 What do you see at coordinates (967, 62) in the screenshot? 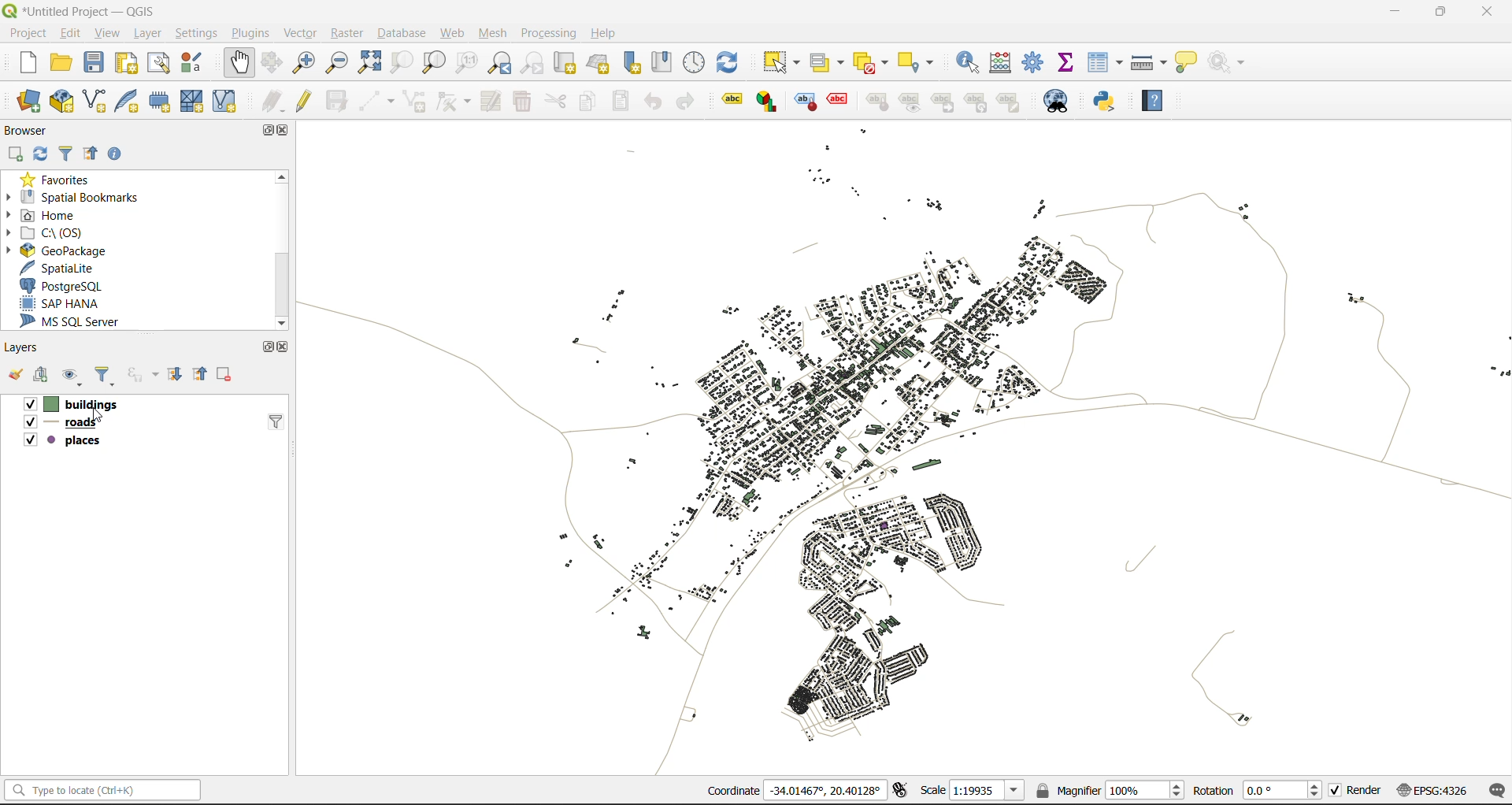
I see `identify features` at bounding box center [967, 62].